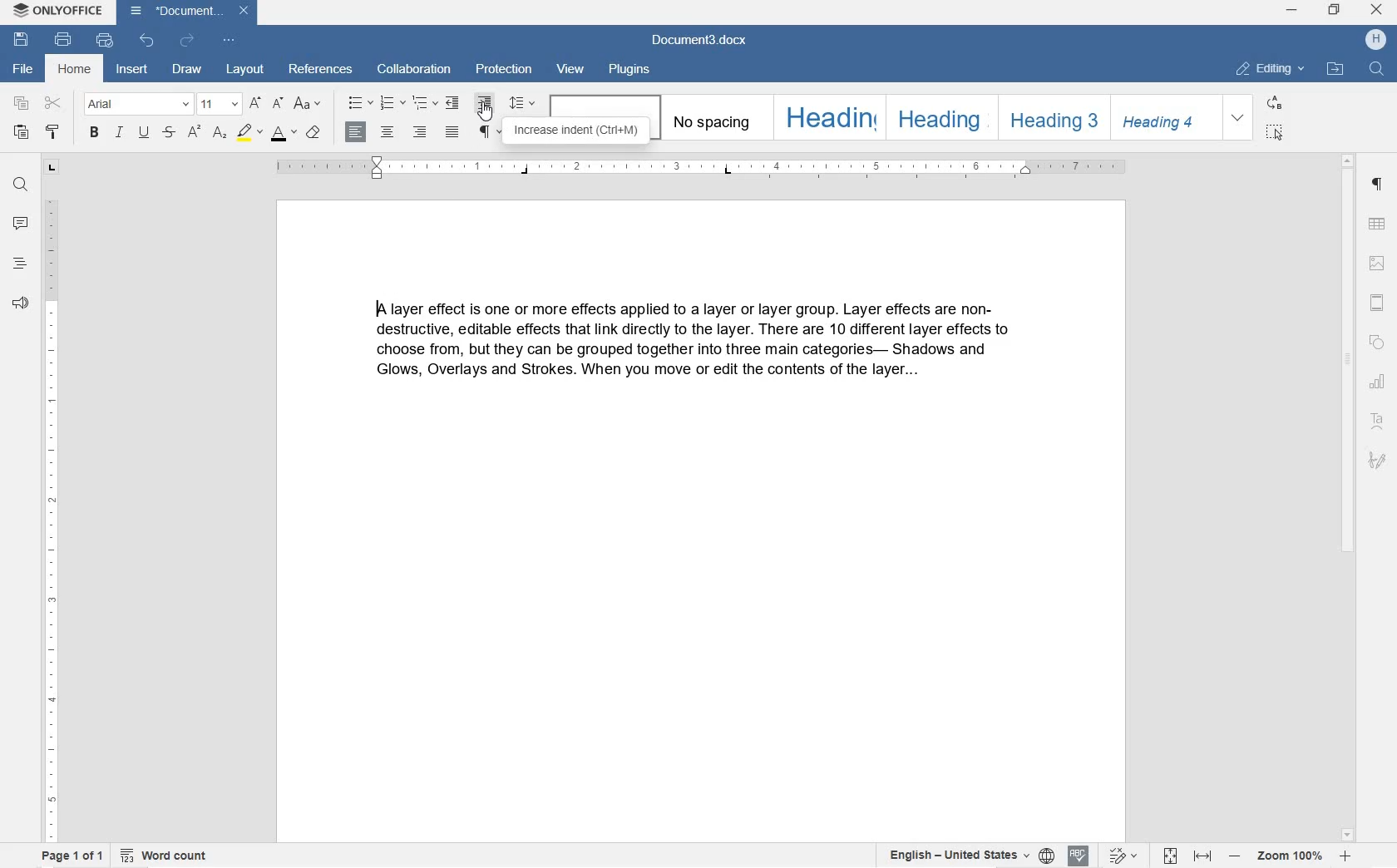  I want to click on WORD COUNT, so click(161, 856).